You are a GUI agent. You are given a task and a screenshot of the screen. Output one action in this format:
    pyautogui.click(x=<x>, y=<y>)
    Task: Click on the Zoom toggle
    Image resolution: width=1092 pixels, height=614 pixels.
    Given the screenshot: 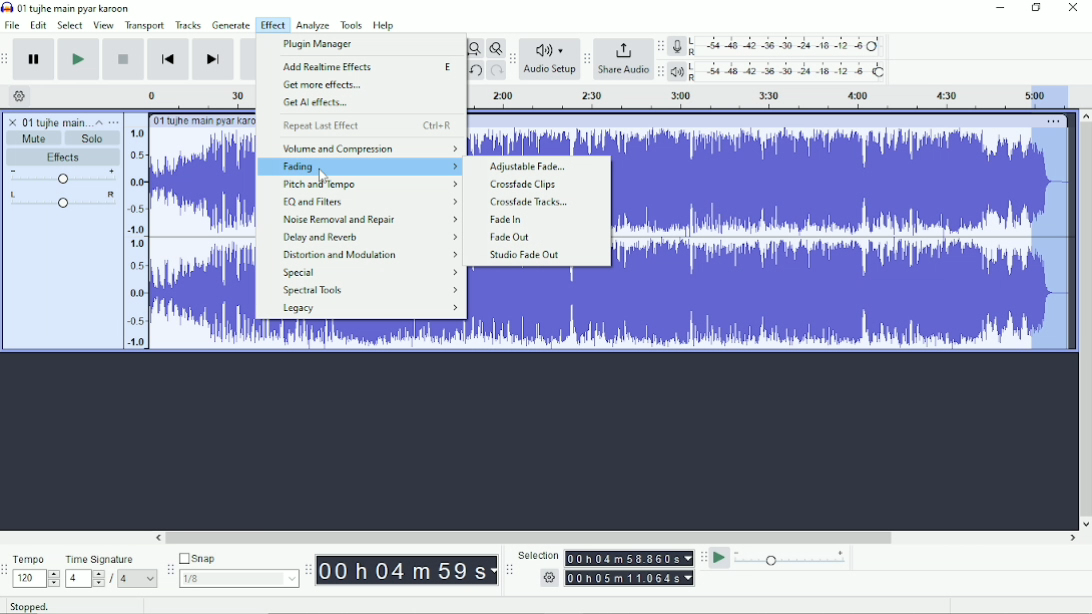 What is the action you would take?
    pyautogui.click(x=494, y=48)
    